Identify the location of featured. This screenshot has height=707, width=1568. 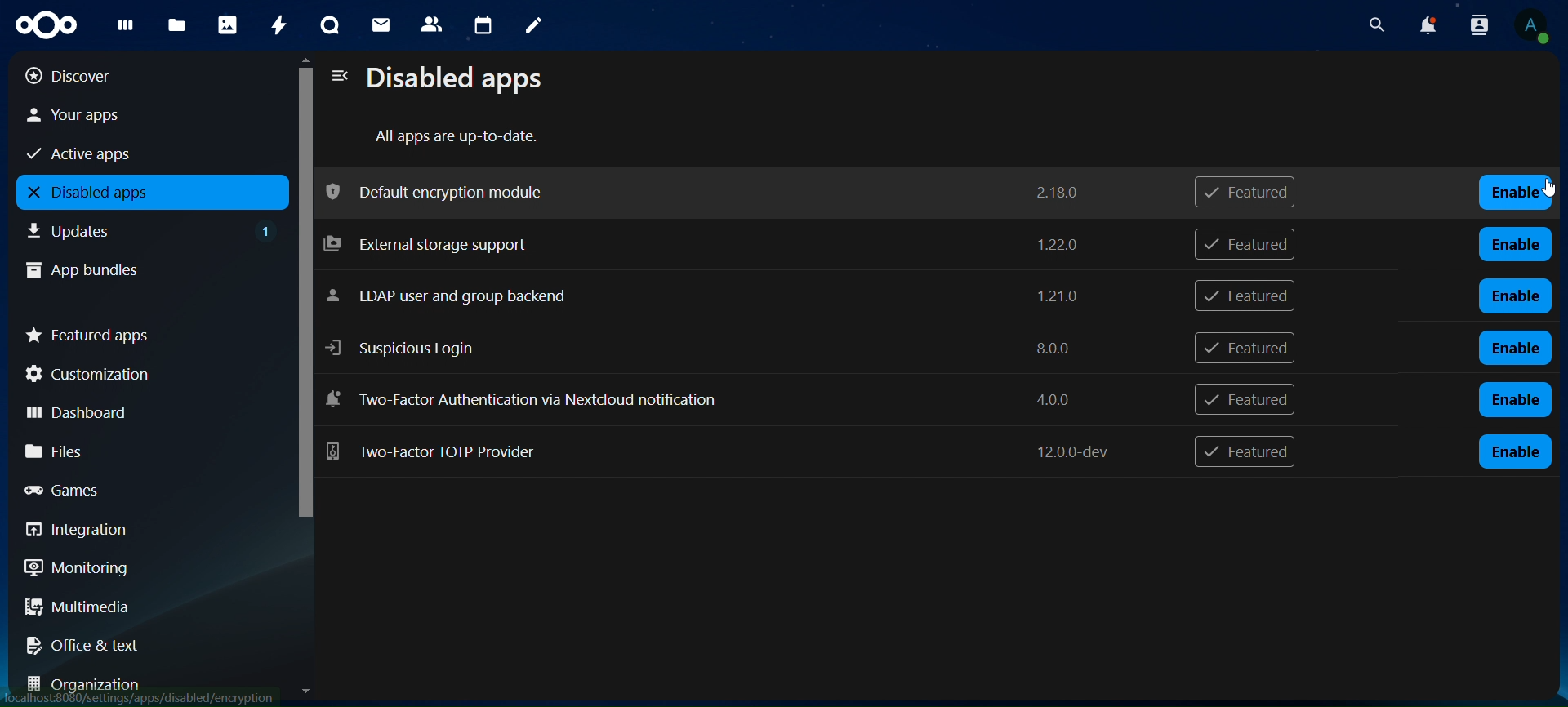
(1245, 243).